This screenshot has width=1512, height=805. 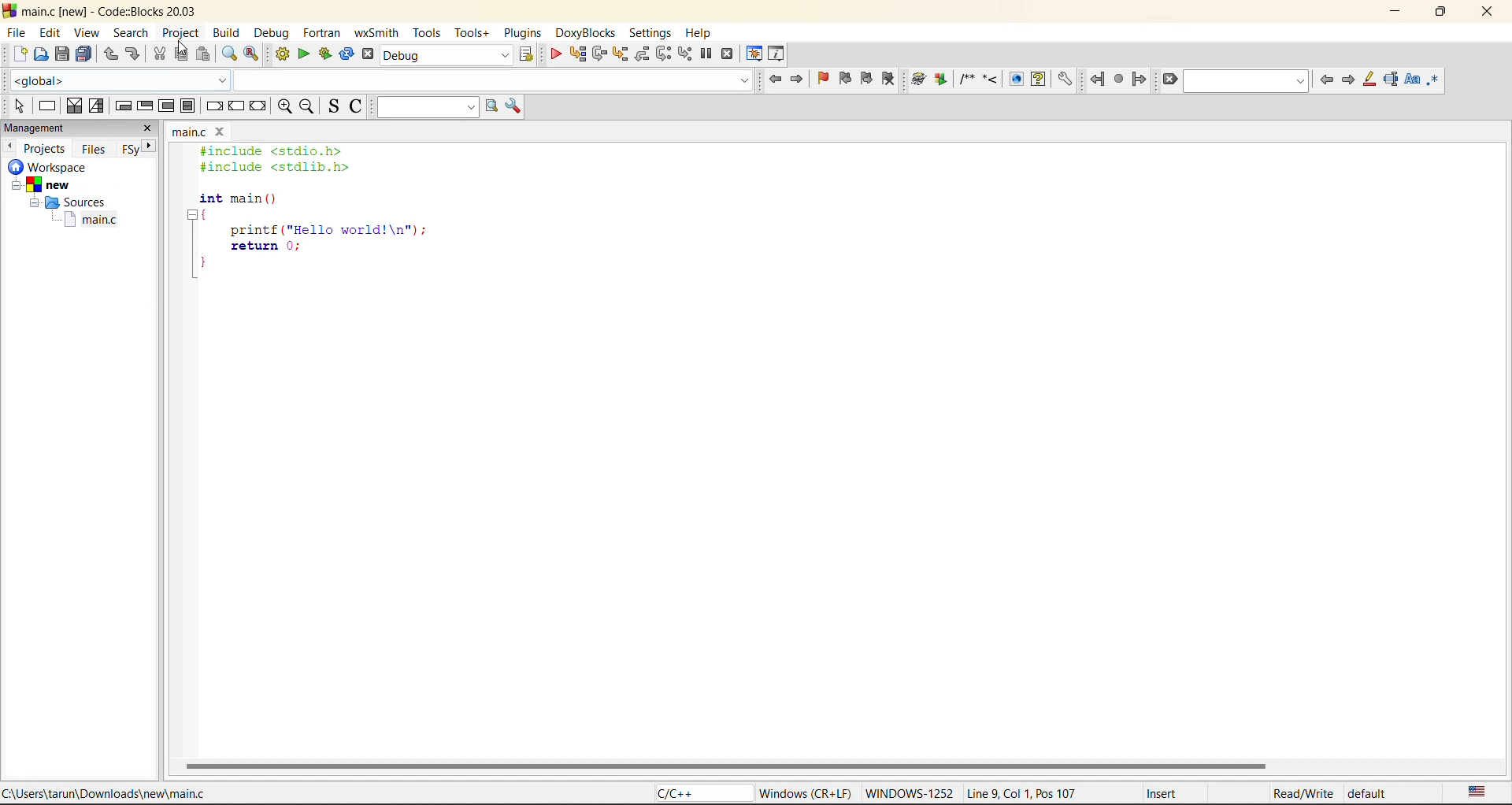 What do you see at coordinates (799, 80) in the screenshot?
I see `jump forward` at bounding box center [799, 80].